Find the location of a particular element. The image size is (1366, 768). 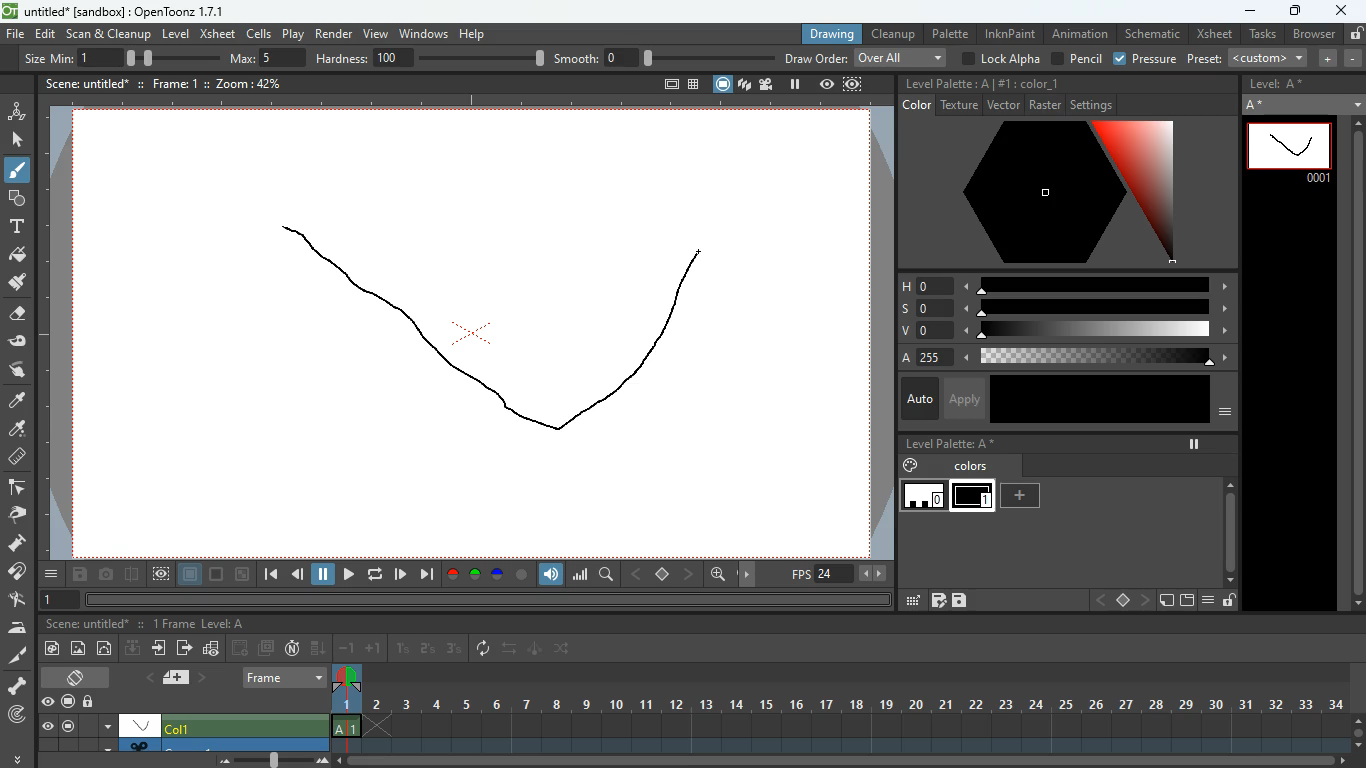

shape is located at coordinates (13, 197).